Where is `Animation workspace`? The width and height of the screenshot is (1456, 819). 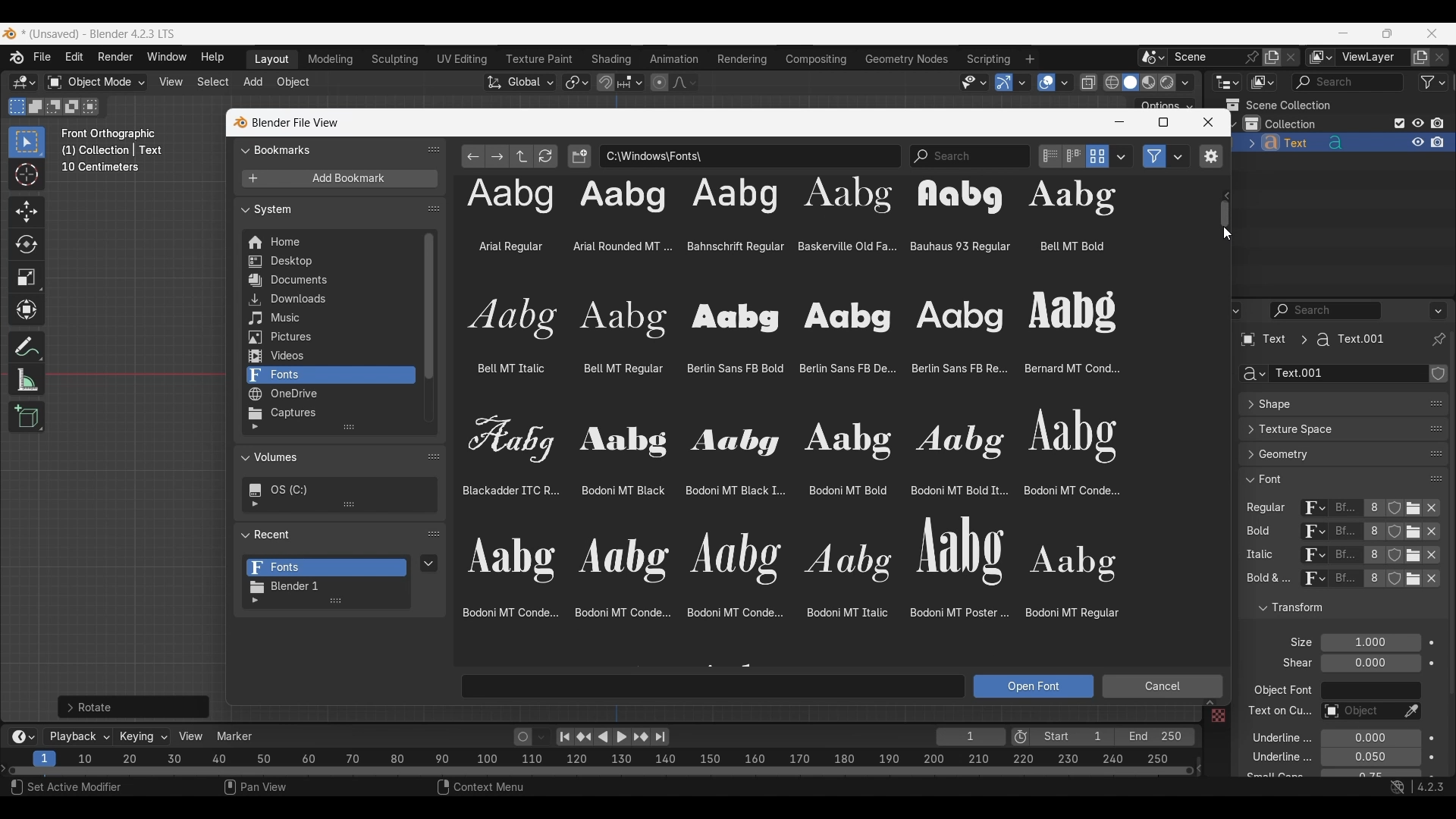
Animation workspace is located at coordinates (674, 60).